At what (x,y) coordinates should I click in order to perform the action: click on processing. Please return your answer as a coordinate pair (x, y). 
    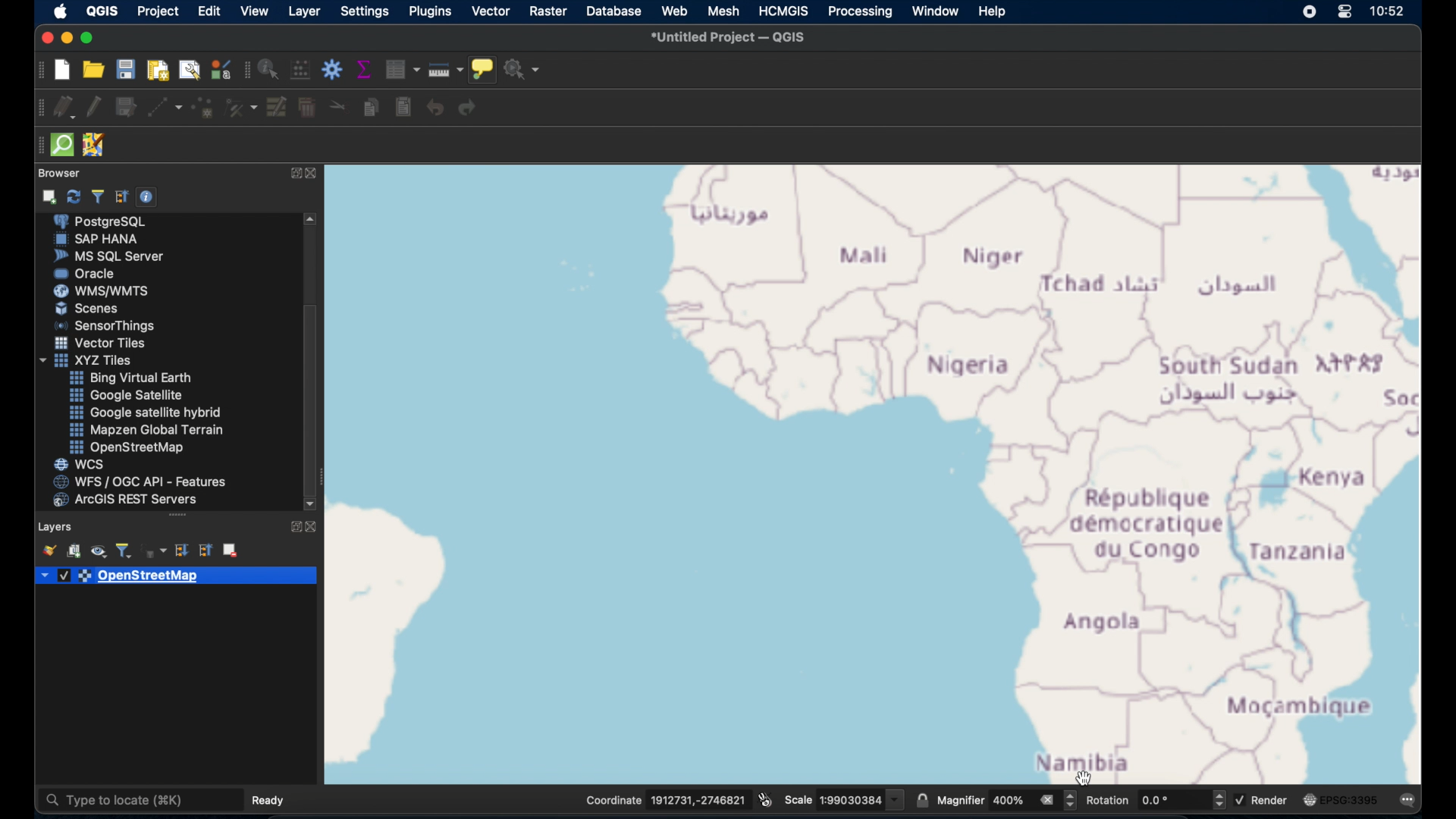
    Looking at the image, I should click on (862, 12).